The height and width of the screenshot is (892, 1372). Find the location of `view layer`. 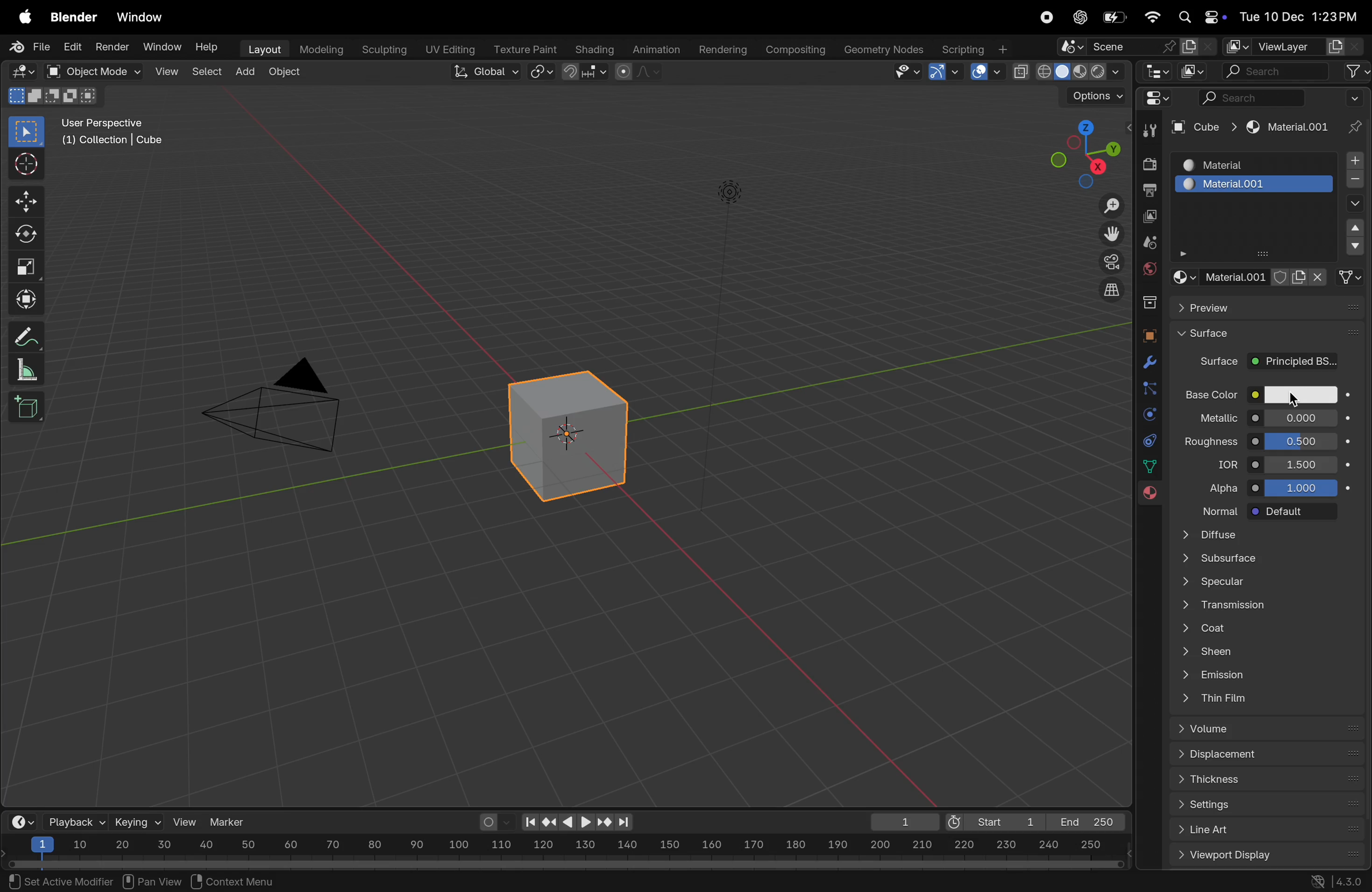

view layer is located at coordinates (1151, 217).